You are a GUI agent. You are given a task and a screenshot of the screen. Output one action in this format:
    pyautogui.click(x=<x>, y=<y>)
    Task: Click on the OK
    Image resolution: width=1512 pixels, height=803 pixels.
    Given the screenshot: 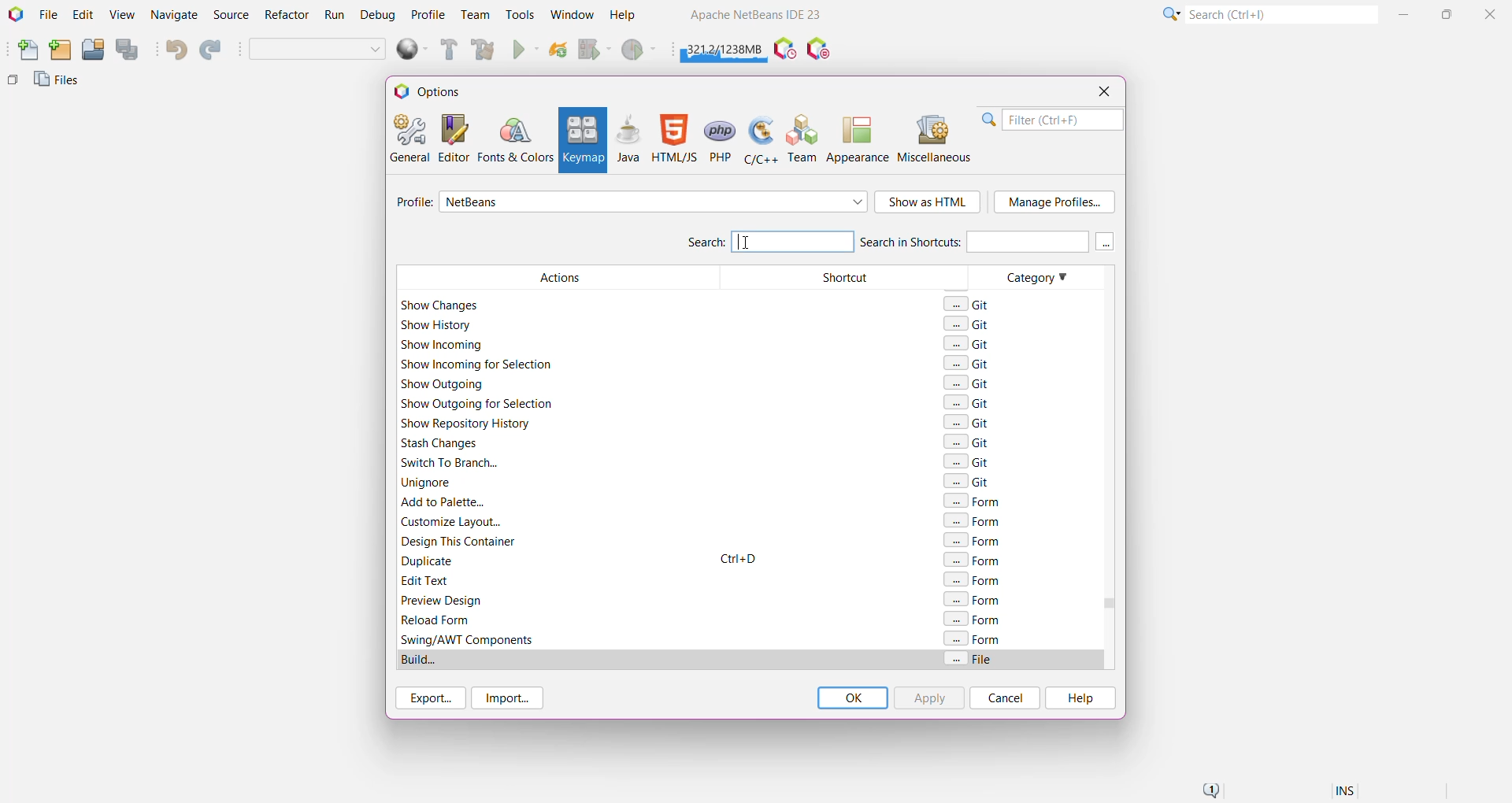 What is the action you would take?
    pyautogui.click(x=852, y=698)
    